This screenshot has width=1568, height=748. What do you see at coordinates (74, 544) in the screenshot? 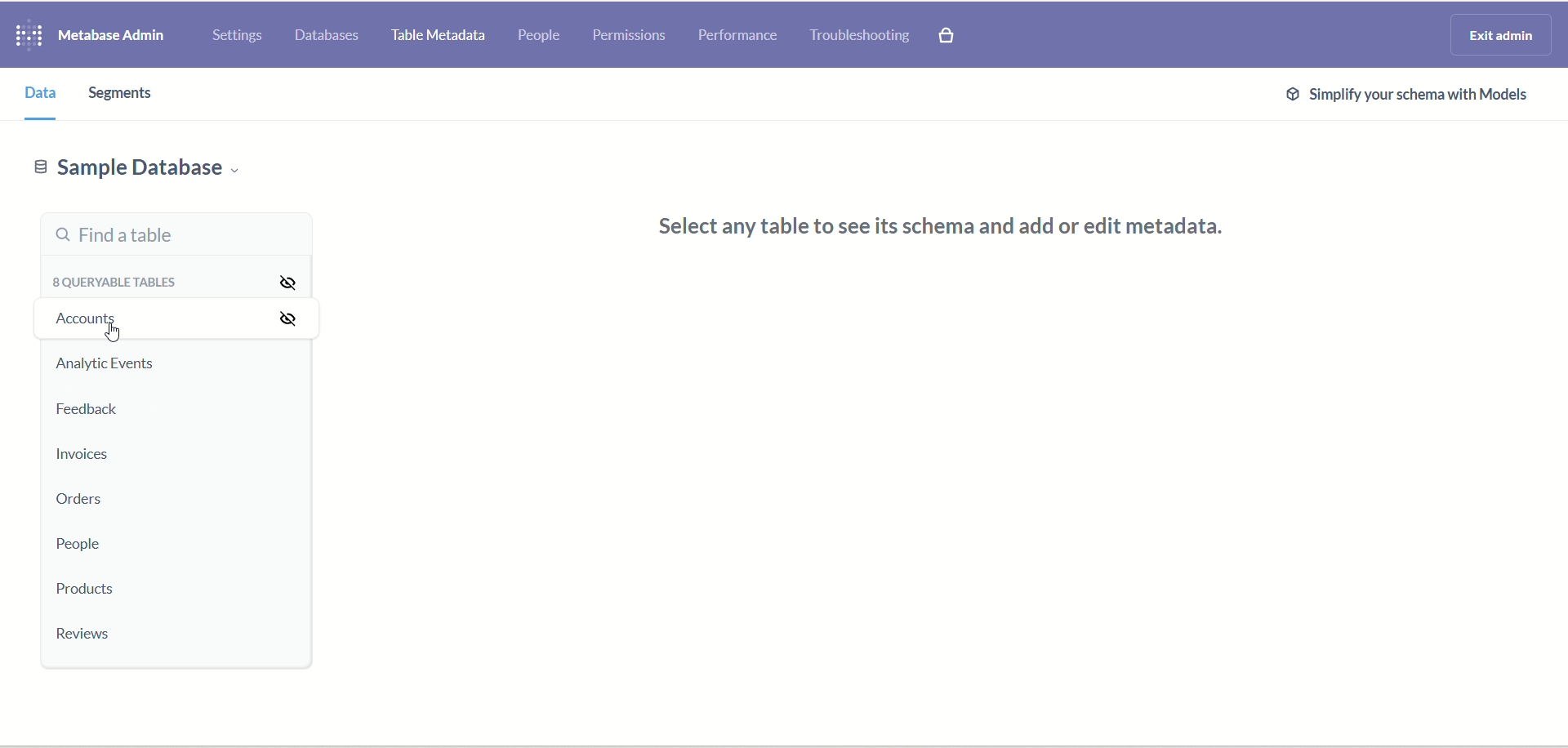
I see `people` at bounding box center [74, 544].